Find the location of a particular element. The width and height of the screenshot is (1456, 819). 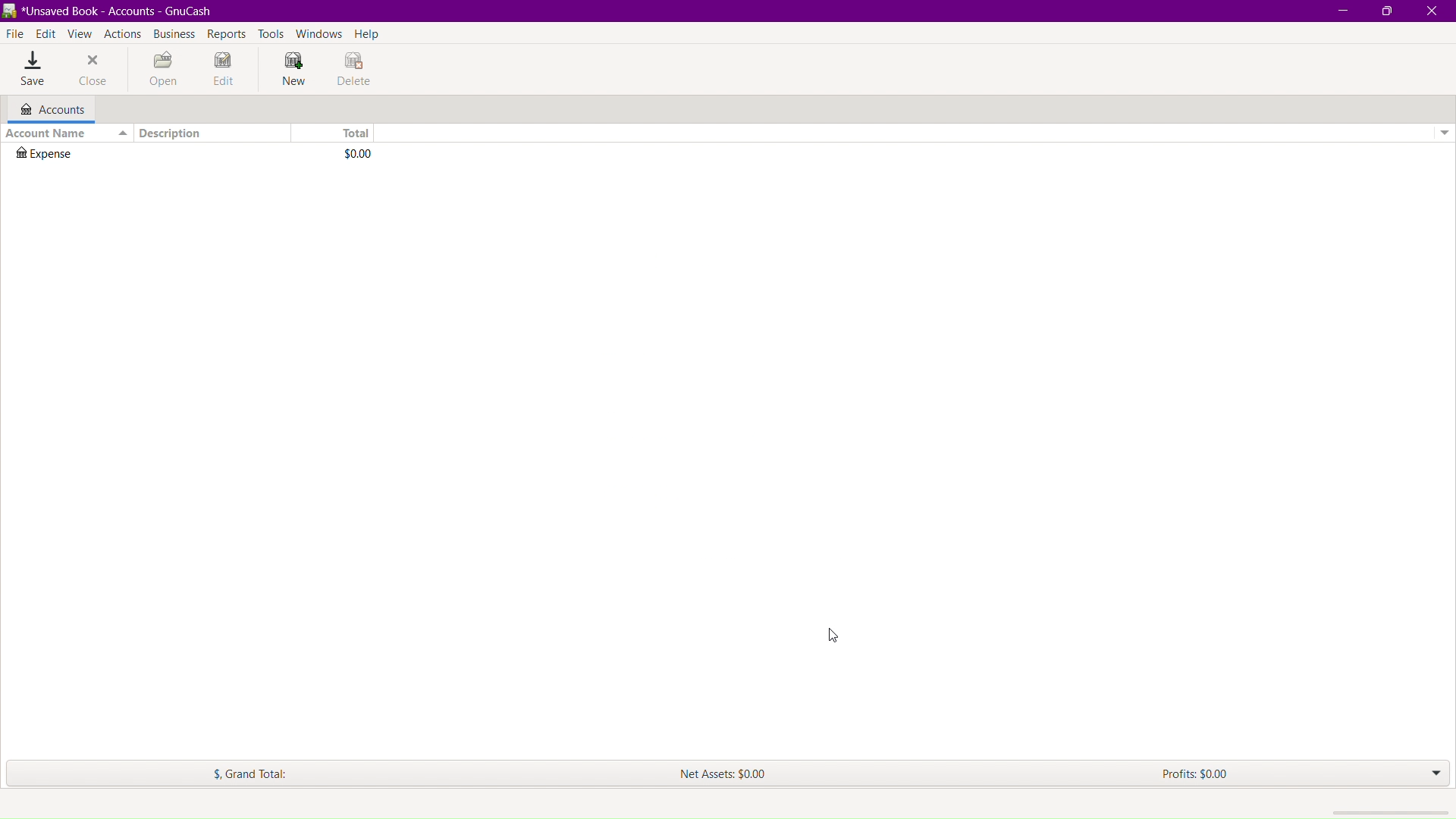

Minimize is located at coordinates (1345, 11).